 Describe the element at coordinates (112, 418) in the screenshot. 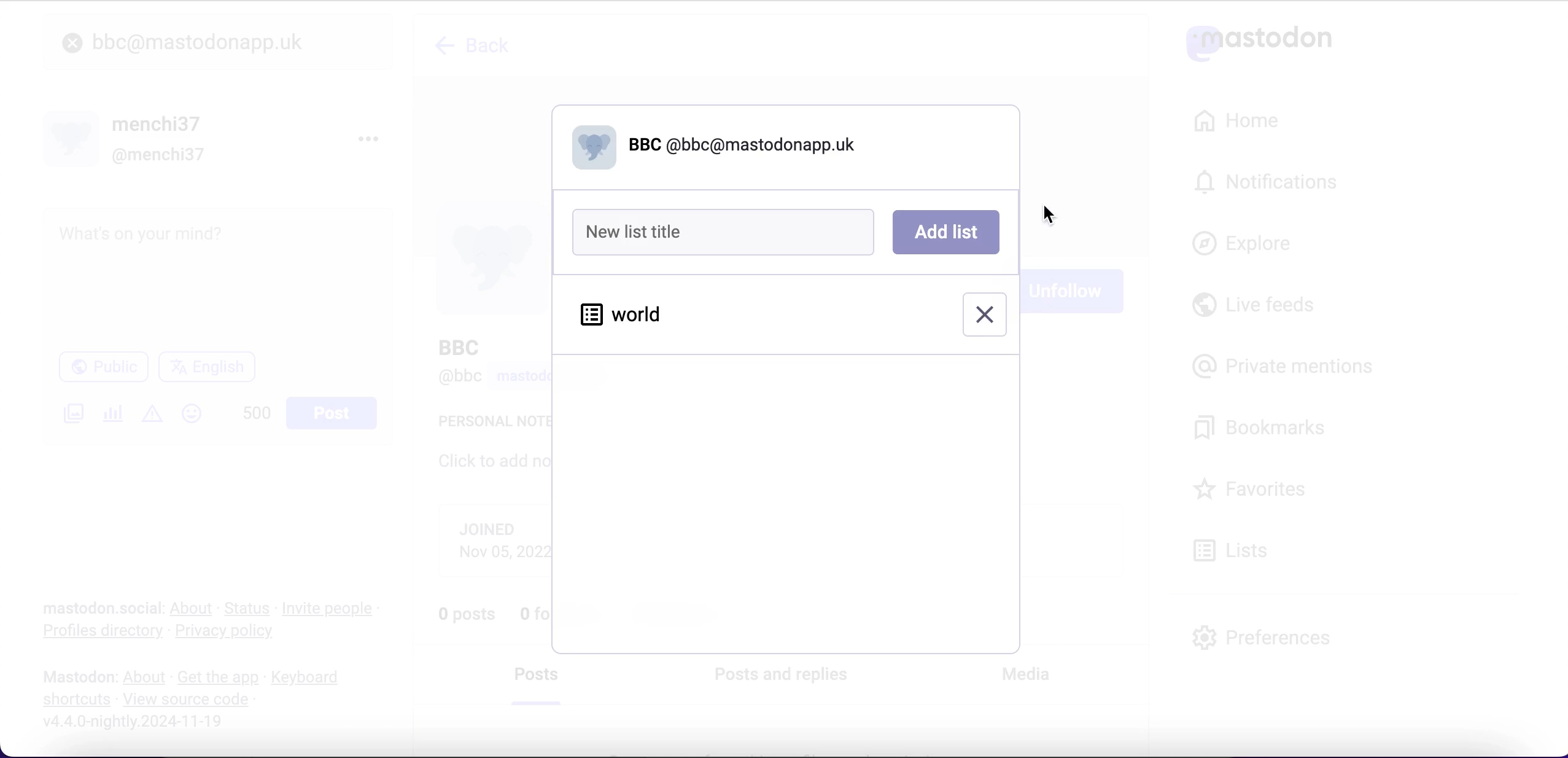

I see `add a poll` at that location.